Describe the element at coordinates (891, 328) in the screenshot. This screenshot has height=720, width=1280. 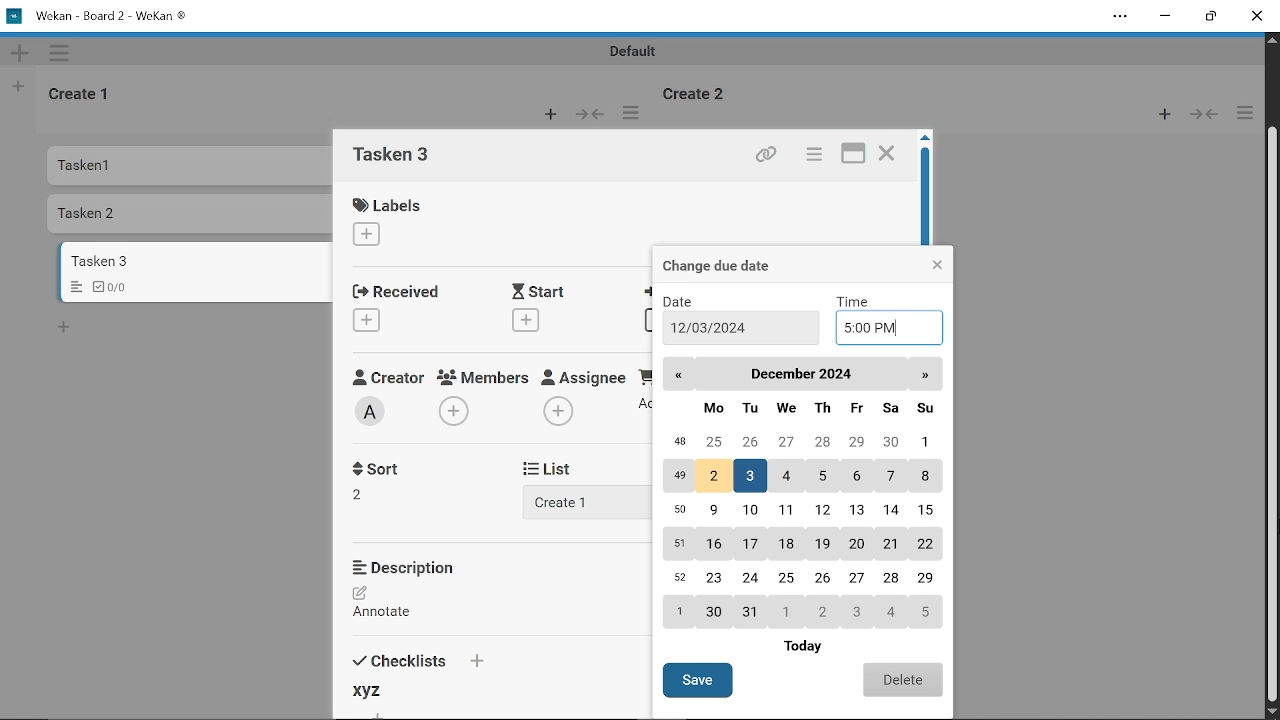
I see `Add time` at that location.